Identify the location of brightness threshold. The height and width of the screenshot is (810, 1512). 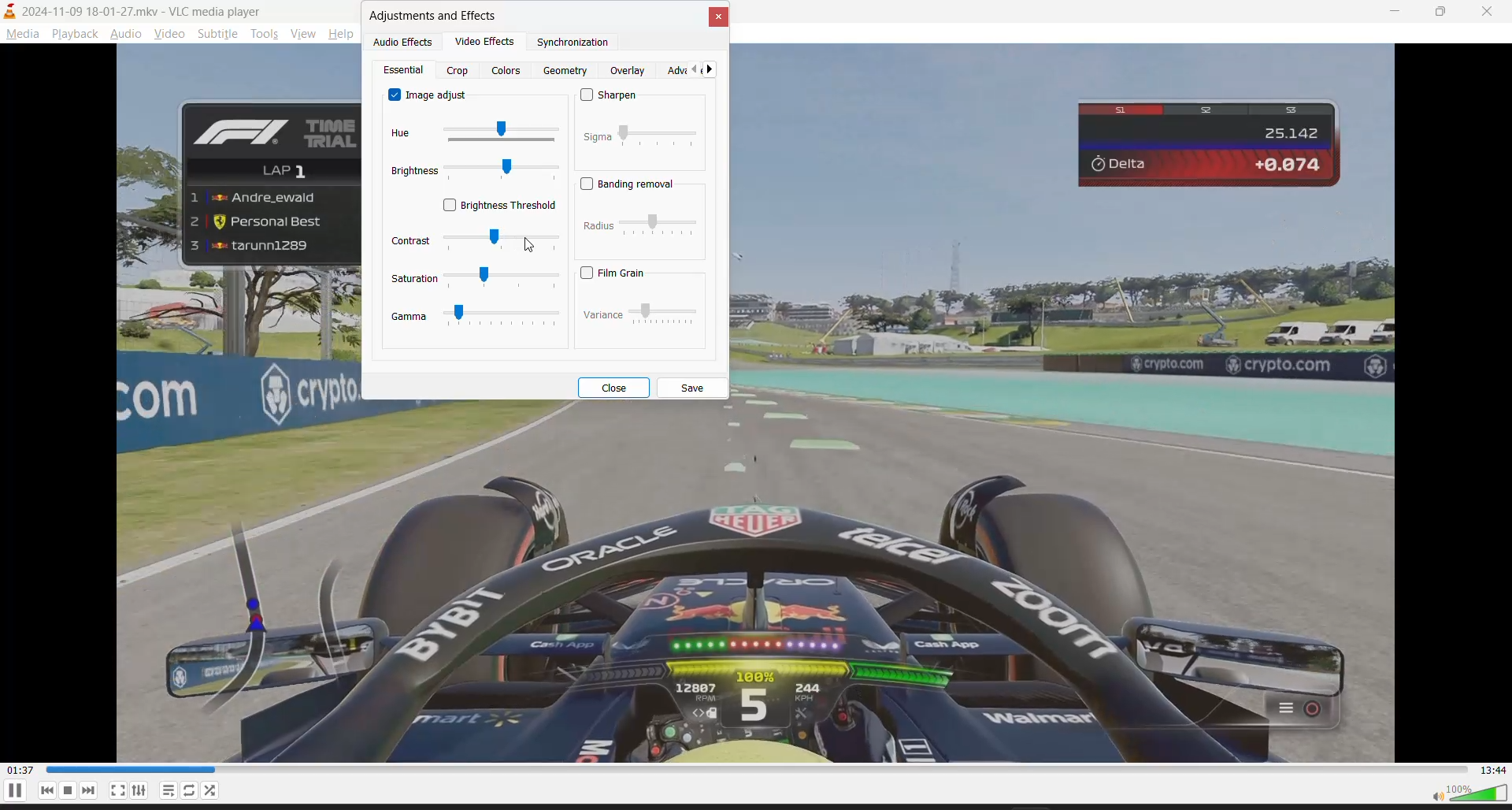
(498, 206).